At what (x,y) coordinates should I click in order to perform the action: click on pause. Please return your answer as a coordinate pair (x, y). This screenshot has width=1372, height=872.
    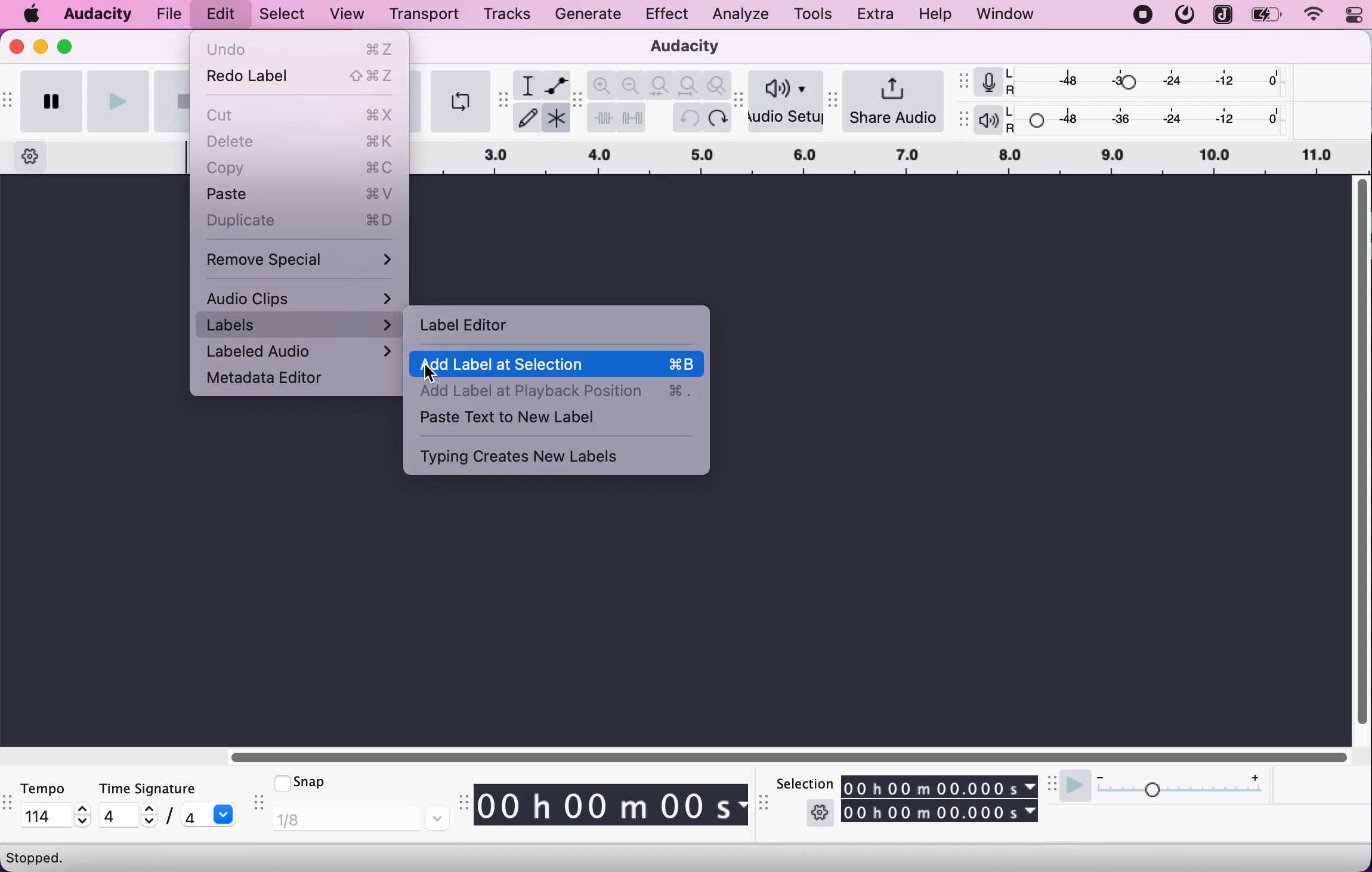
    Looking at the image, I should click on (51, 103).